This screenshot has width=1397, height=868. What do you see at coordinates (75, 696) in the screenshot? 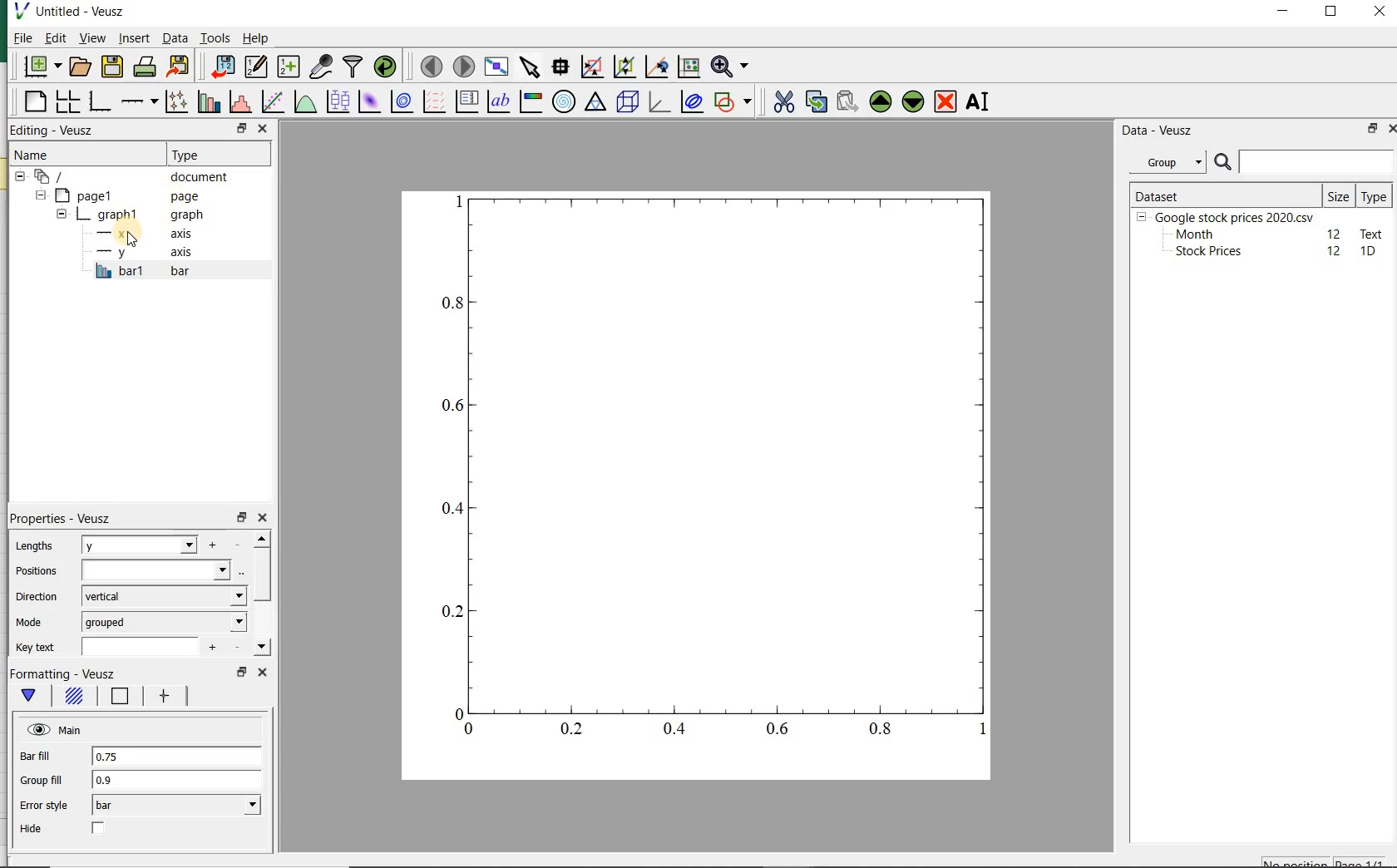
I see `fill` at bounding box center [75, 696].